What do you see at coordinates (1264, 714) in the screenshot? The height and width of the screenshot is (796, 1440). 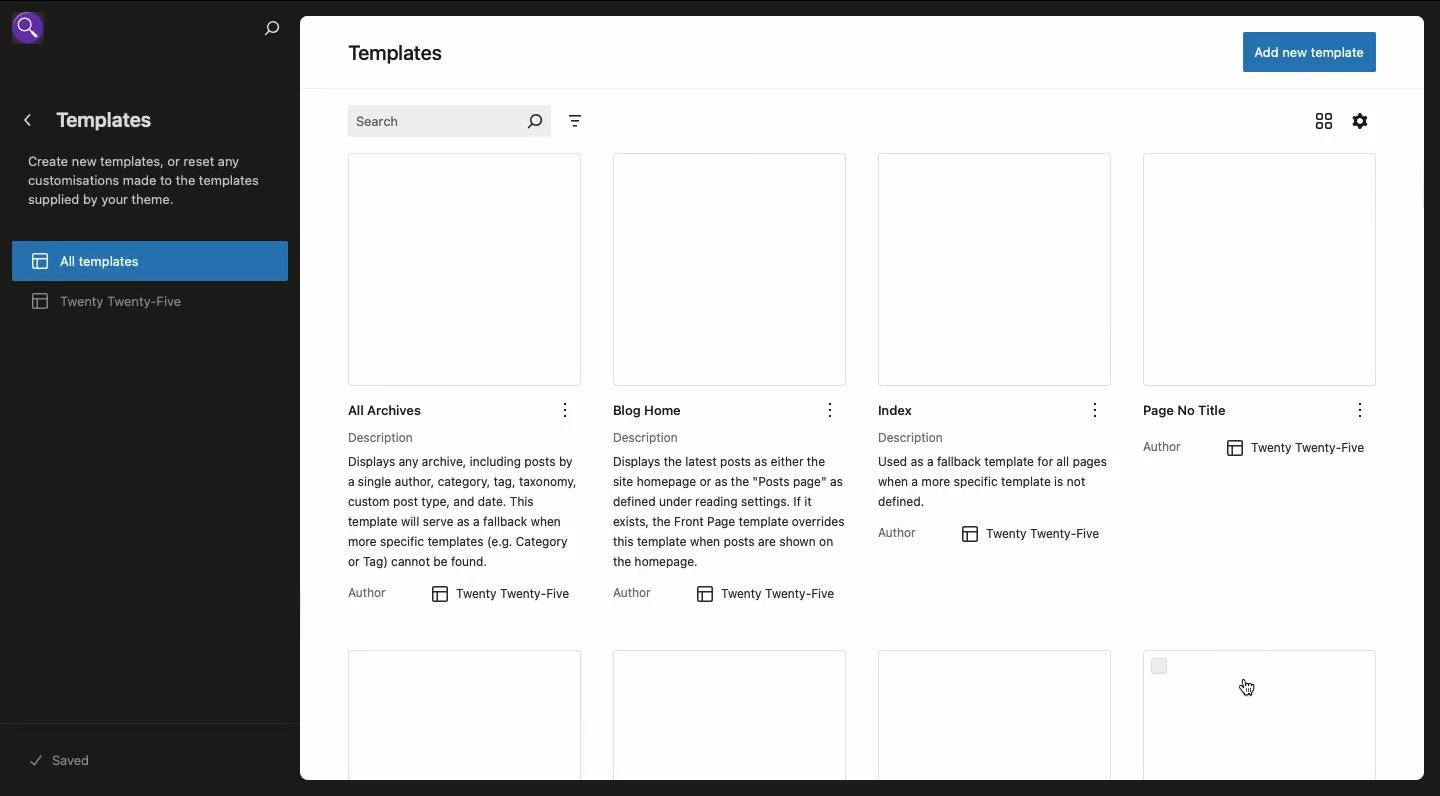 I see `Single Post` at bounding box center [1264, 714].